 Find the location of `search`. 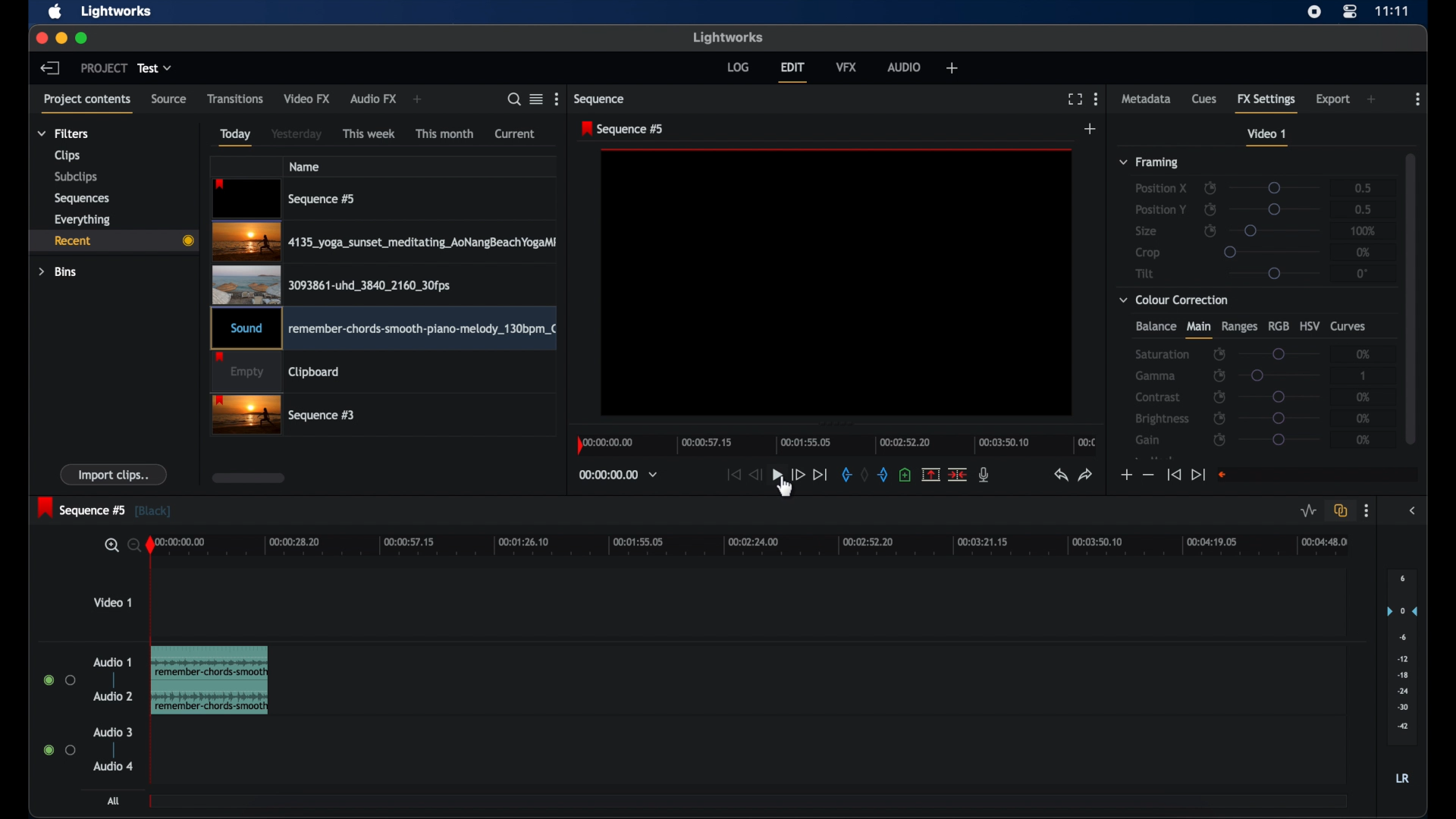

search is located at coordinates (514, 99).